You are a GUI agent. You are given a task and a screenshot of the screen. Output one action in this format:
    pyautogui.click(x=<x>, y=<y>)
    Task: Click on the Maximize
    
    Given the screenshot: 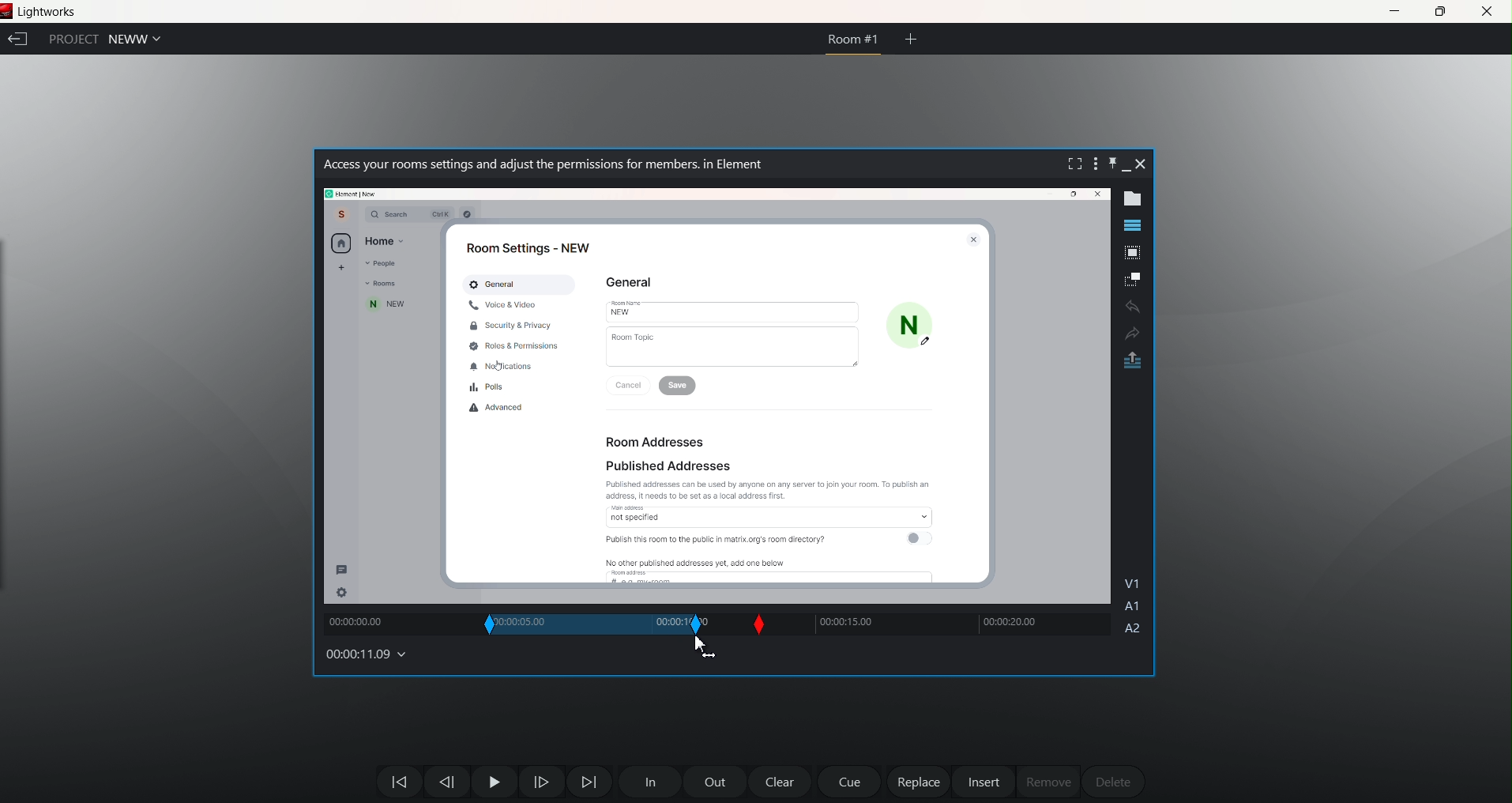 What is the action you would take?
    pyautogui.click(x=1070, y=195)
    